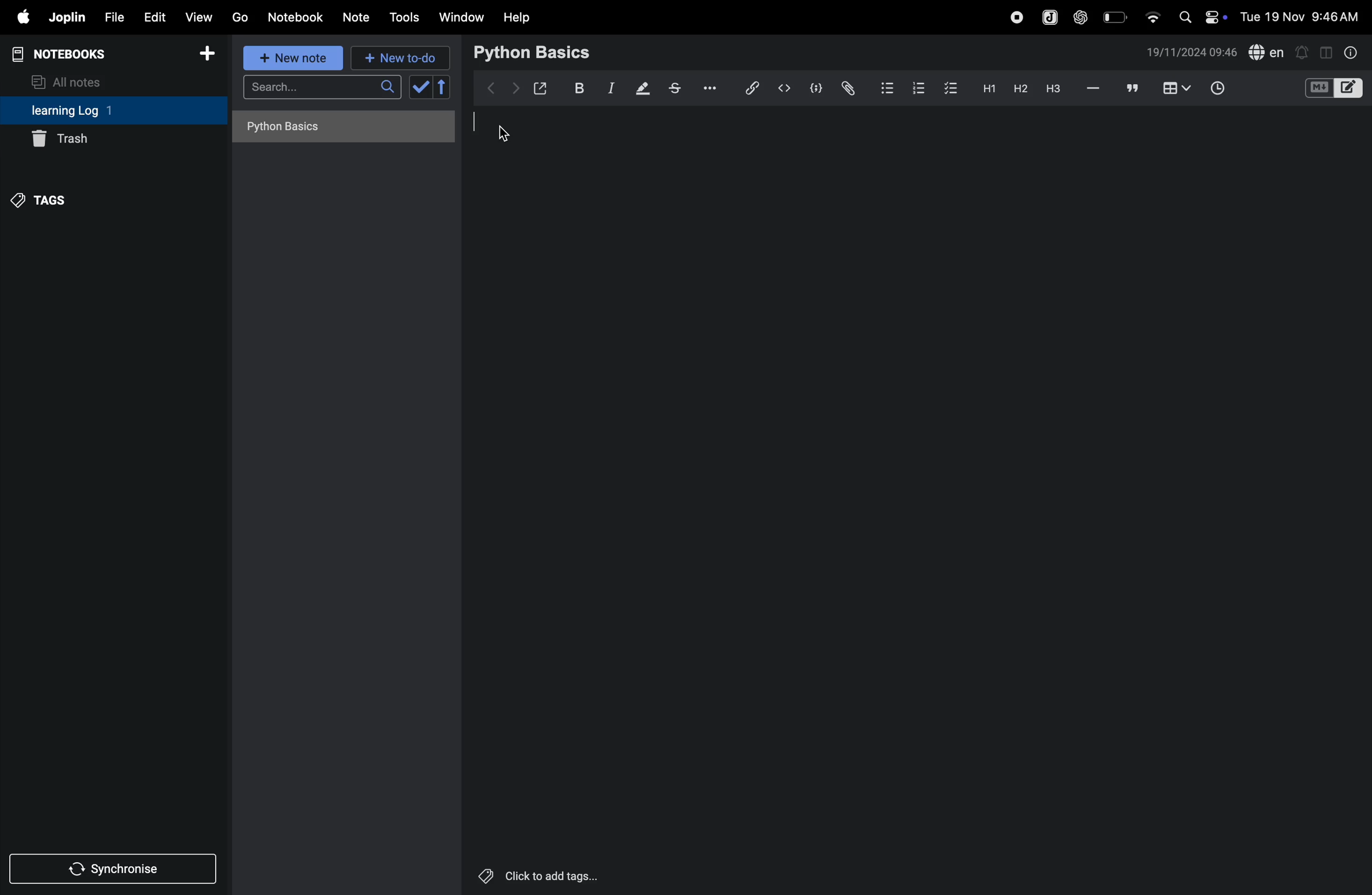  What do you see at coordinates (542, 872) in the screenshot?
I see `click to add tags` at bounding box center [542, 872].